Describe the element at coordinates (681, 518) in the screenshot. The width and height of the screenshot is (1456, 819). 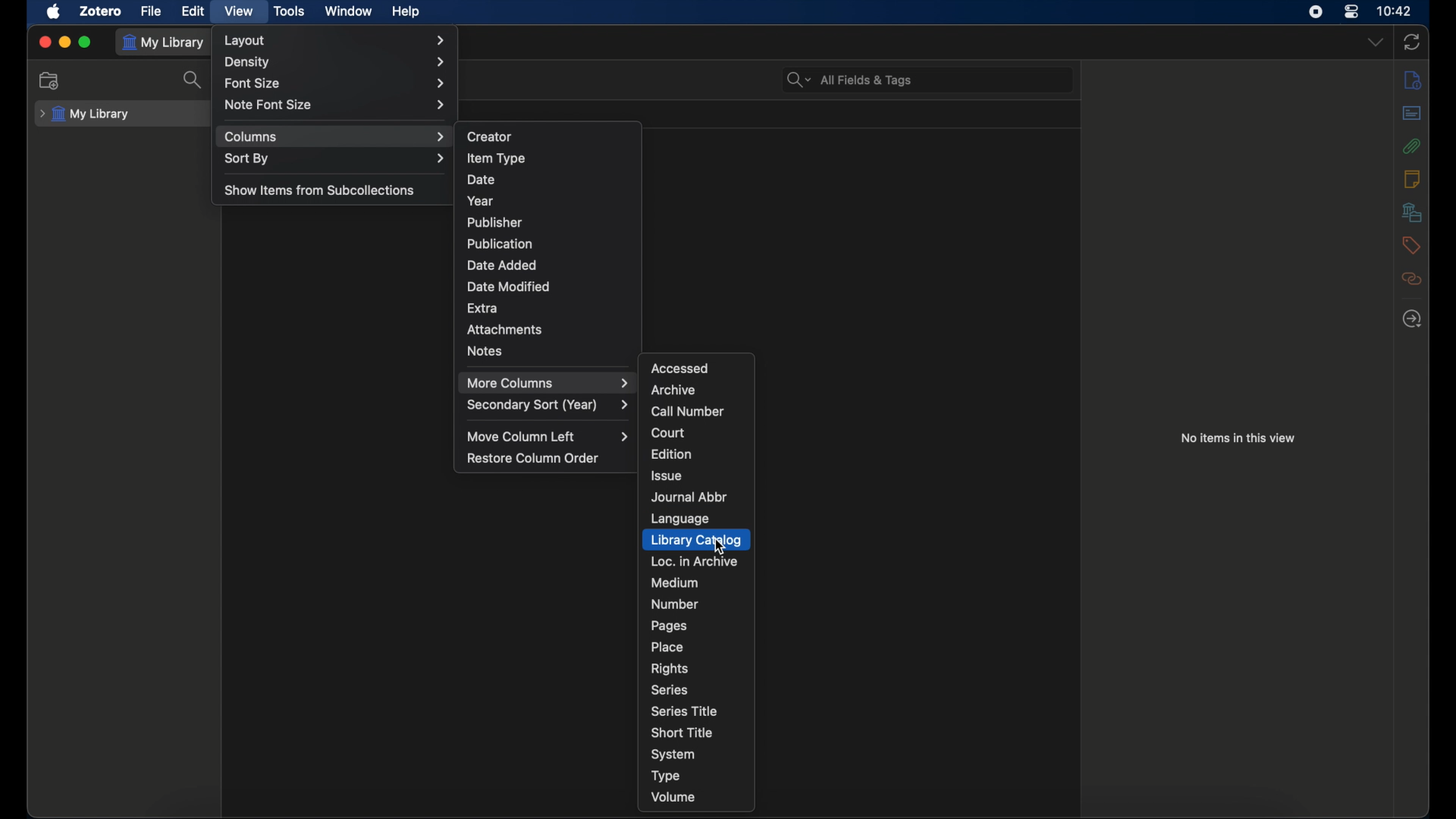
I see `language` at that location.